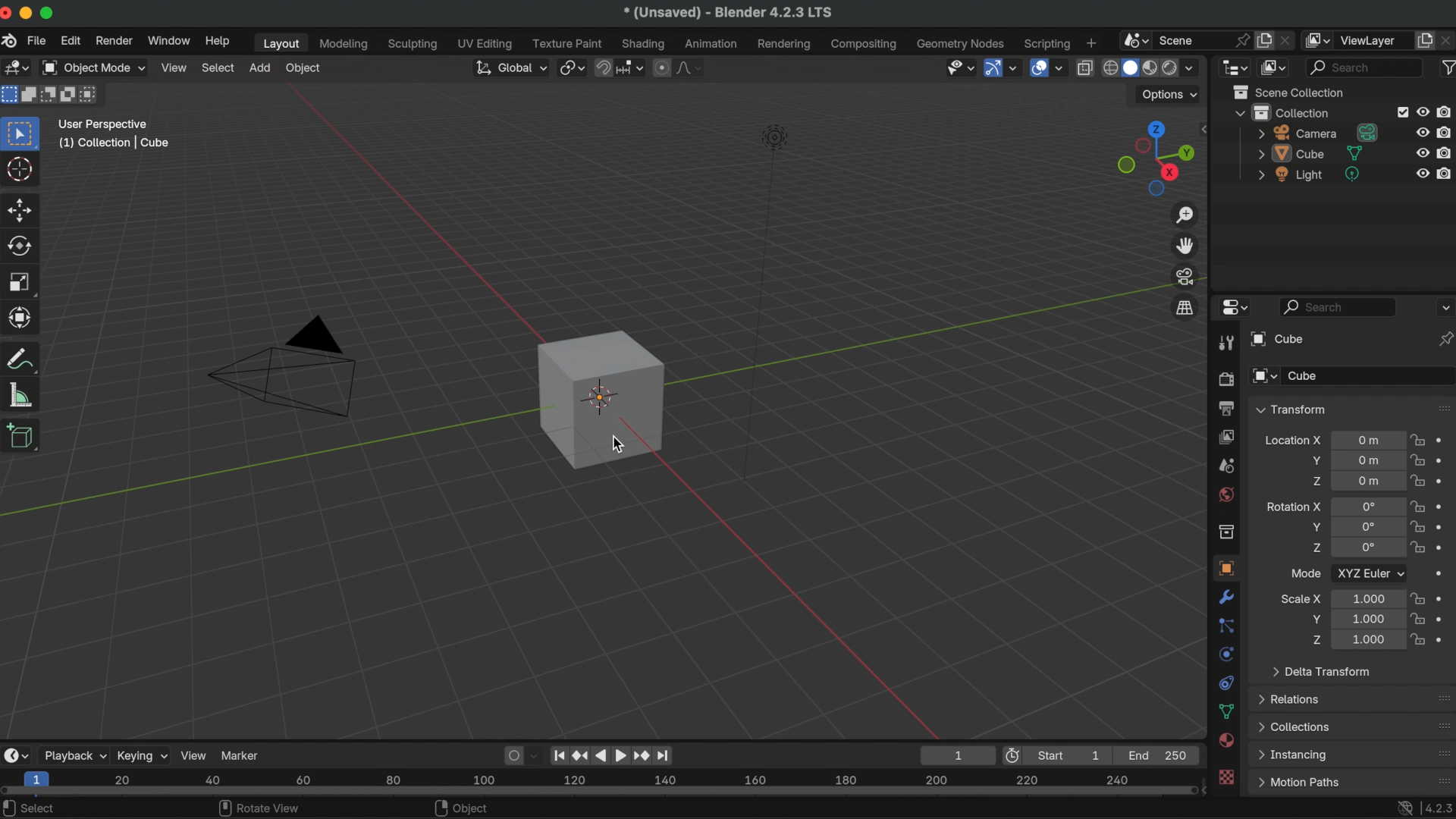  What do you see at coordinates (1225, 436) in the screenshot?
I see `view layer` at bounding box center [1225, 436].